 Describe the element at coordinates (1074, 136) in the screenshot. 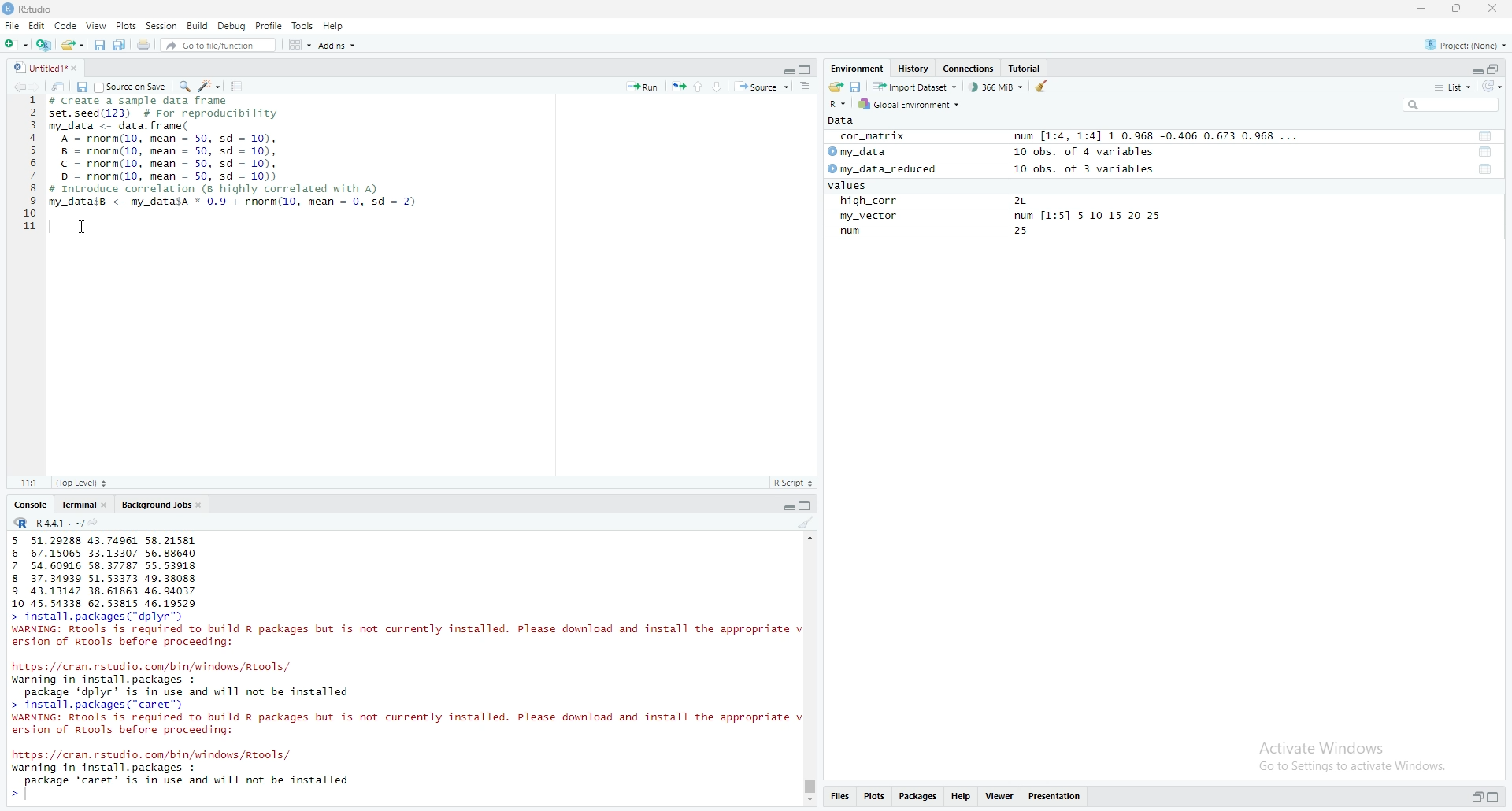

I see `cor_matrix num [1:4, 1:4] 1 0.968 -0.406 0.673 0.968 ...` at that location.